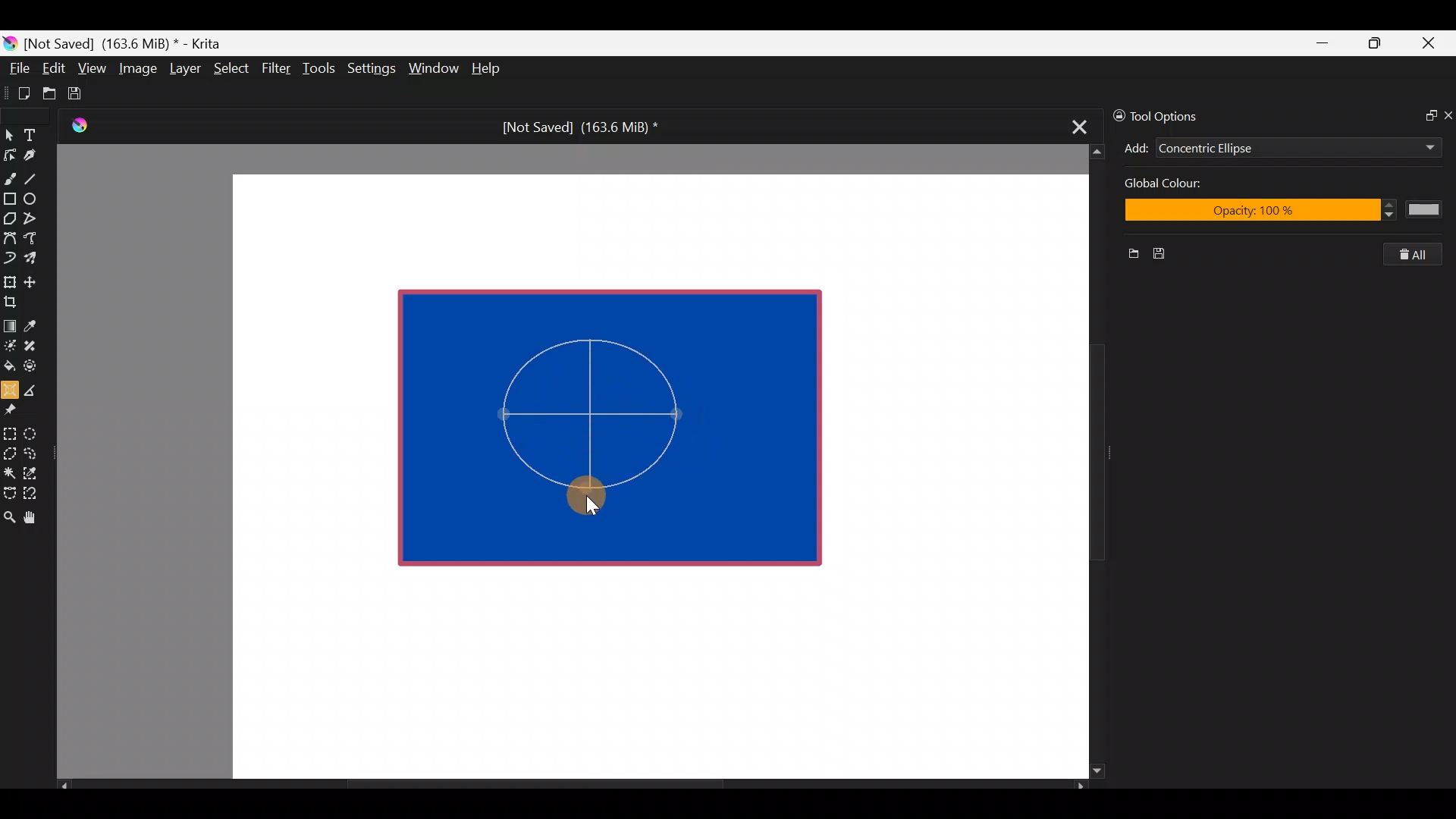 The width and height of the screenshot is (1456, 819). What do you see at coordinates (15, 301) in the screenshot?
I see `Crop the image to an area` at bounding box center [15, 301].